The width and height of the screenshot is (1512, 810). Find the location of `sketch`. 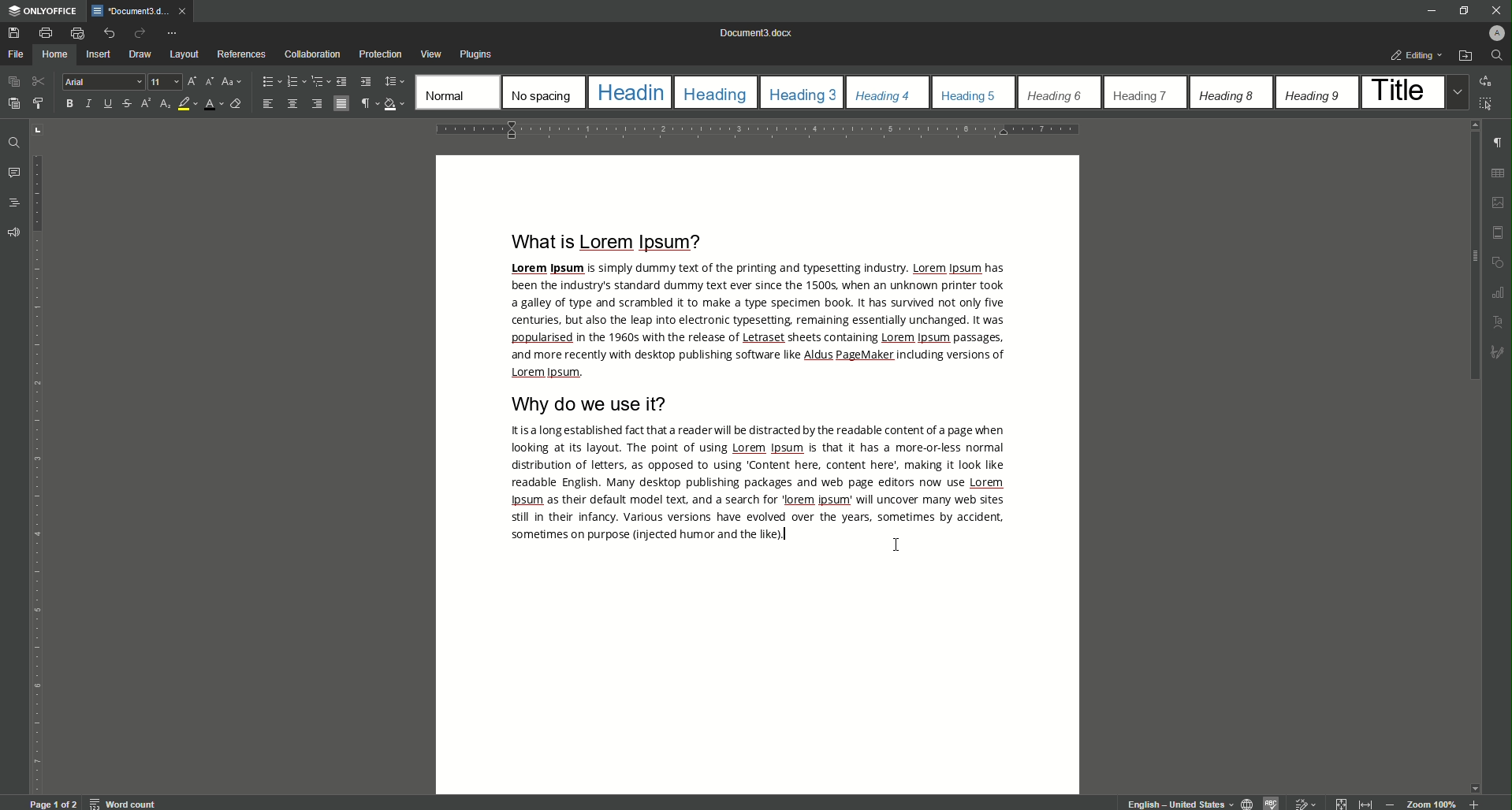

sketch is located at coordinates (1499, 352).